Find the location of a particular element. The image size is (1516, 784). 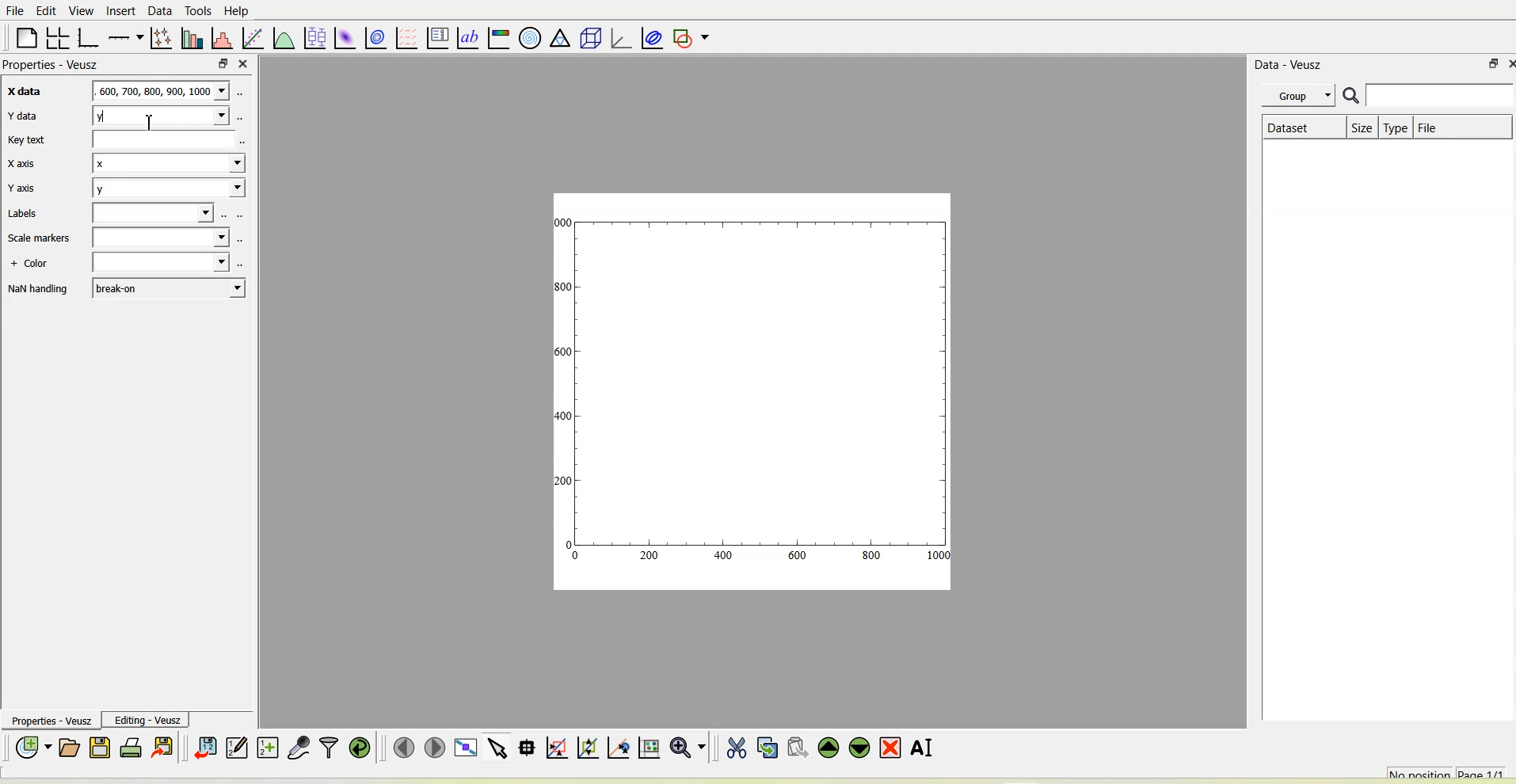

Scale markers is located at coordinates (42, 238).